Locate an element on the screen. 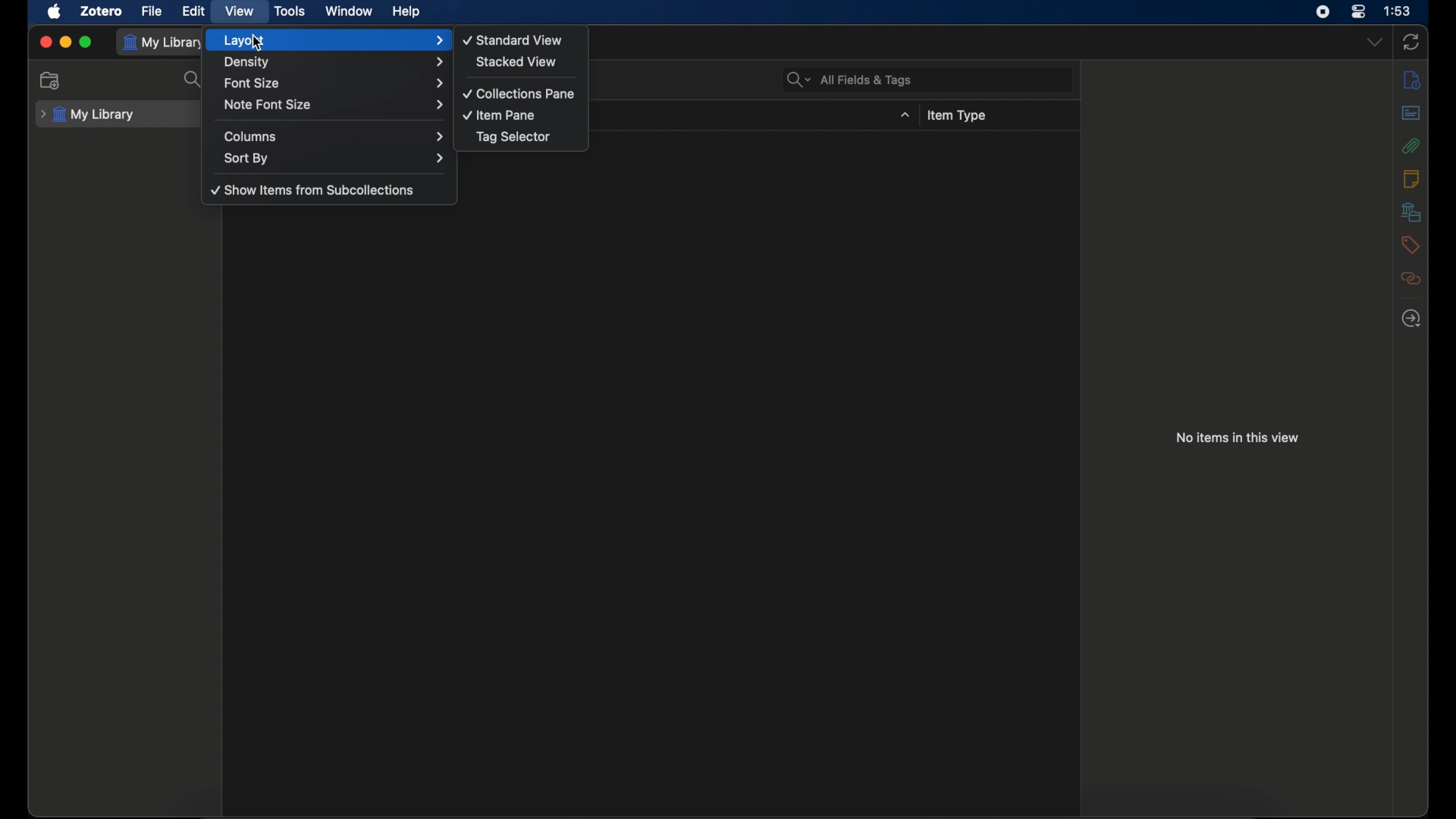 The height and width of the screenshot is (819, 1456). font size is located at coordinates (333, 82).